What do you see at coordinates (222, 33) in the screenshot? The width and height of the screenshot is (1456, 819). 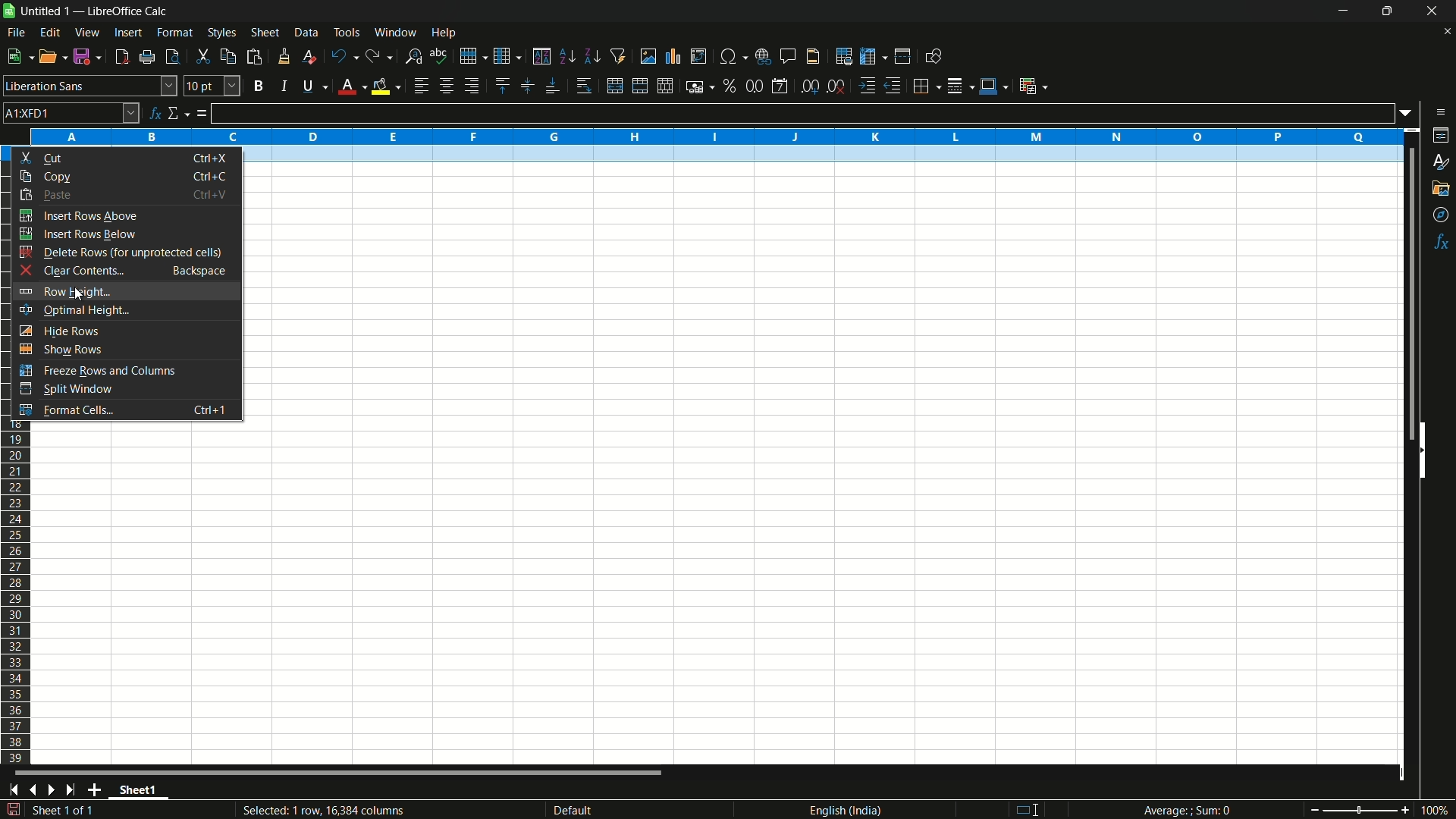 I see `styles menu` at bounding box center [222, 33].